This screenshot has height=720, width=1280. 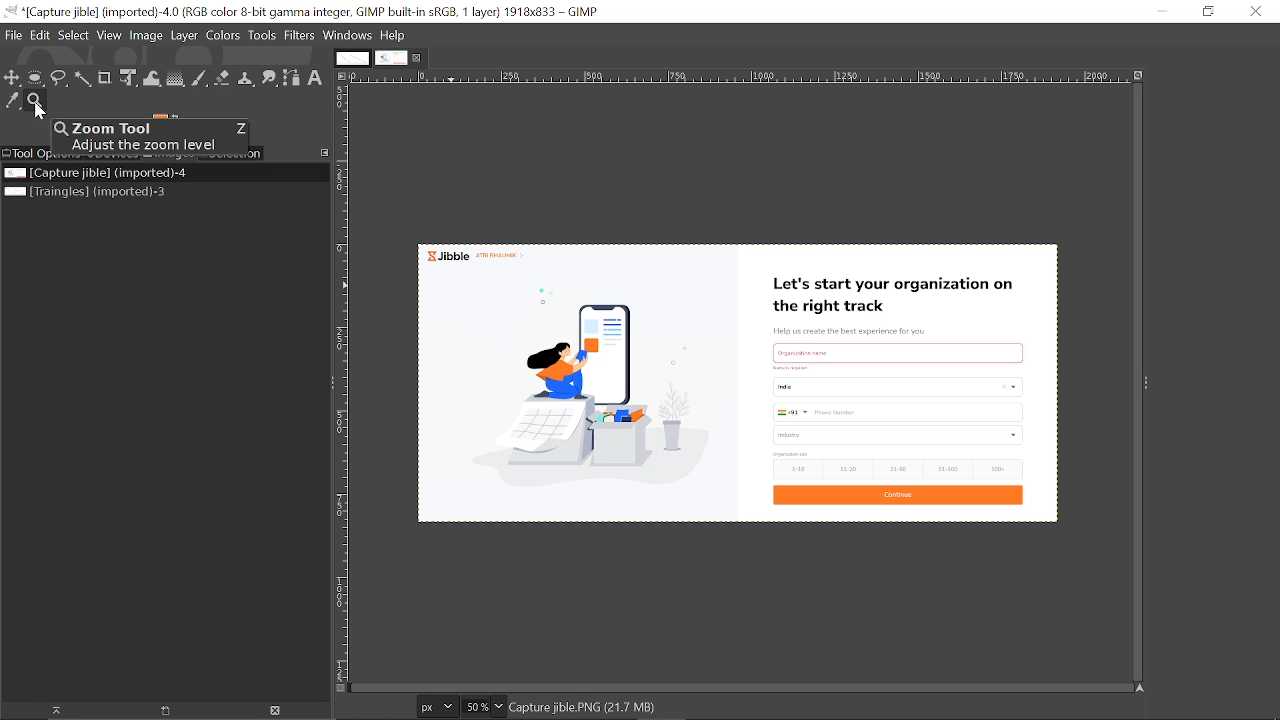 What do you see at coordinates (1139, 75) in the screenshot?
I see `Zoom image when window size changes` at bounding box center [1139, 75].